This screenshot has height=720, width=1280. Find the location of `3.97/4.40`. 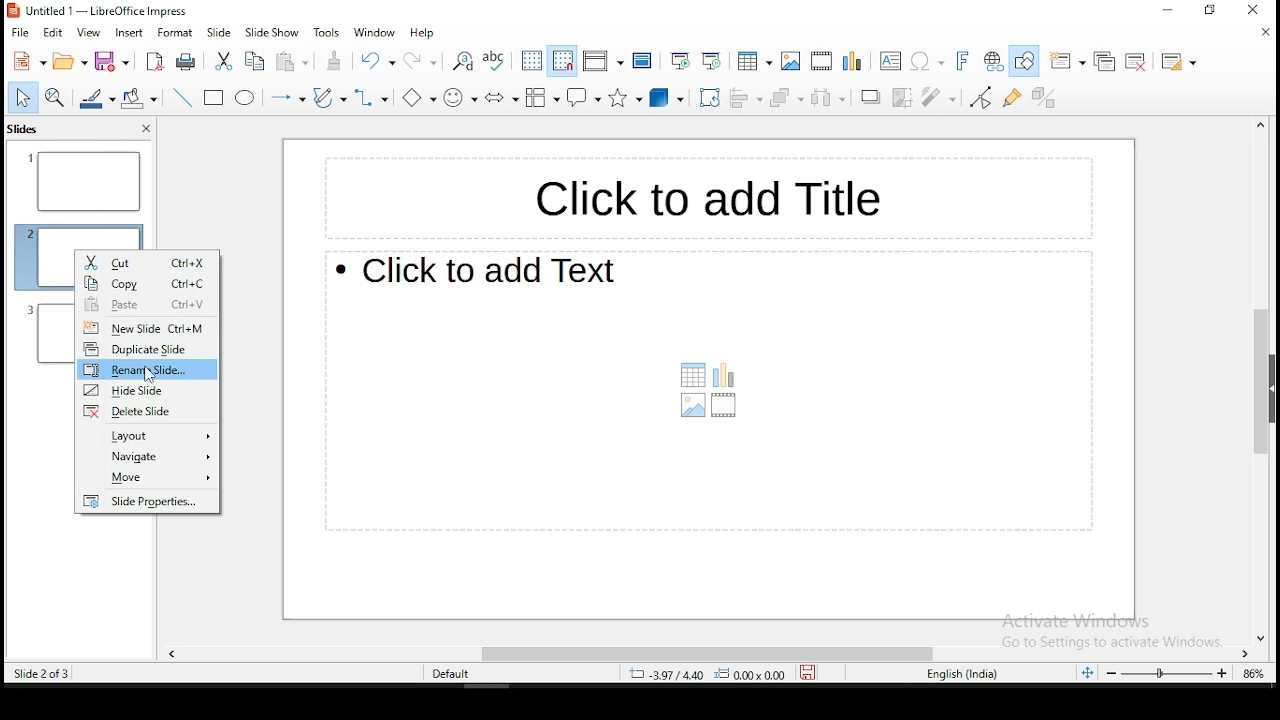

3.97/4.40 is located at coordinates (670, 674).